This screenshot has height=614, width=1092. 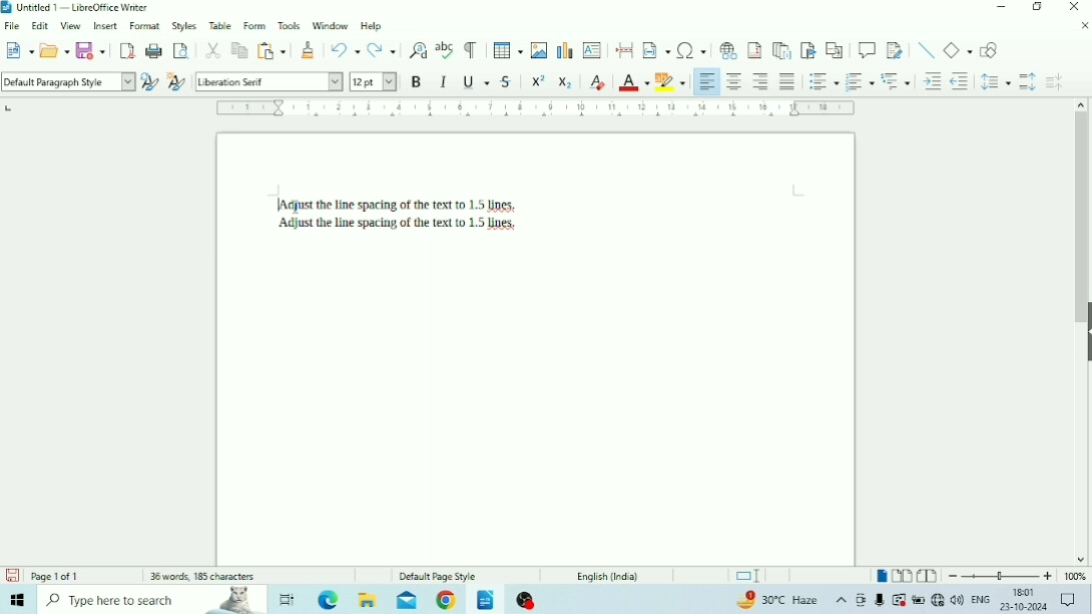 I want to click on View, so click(x=72, y=27).